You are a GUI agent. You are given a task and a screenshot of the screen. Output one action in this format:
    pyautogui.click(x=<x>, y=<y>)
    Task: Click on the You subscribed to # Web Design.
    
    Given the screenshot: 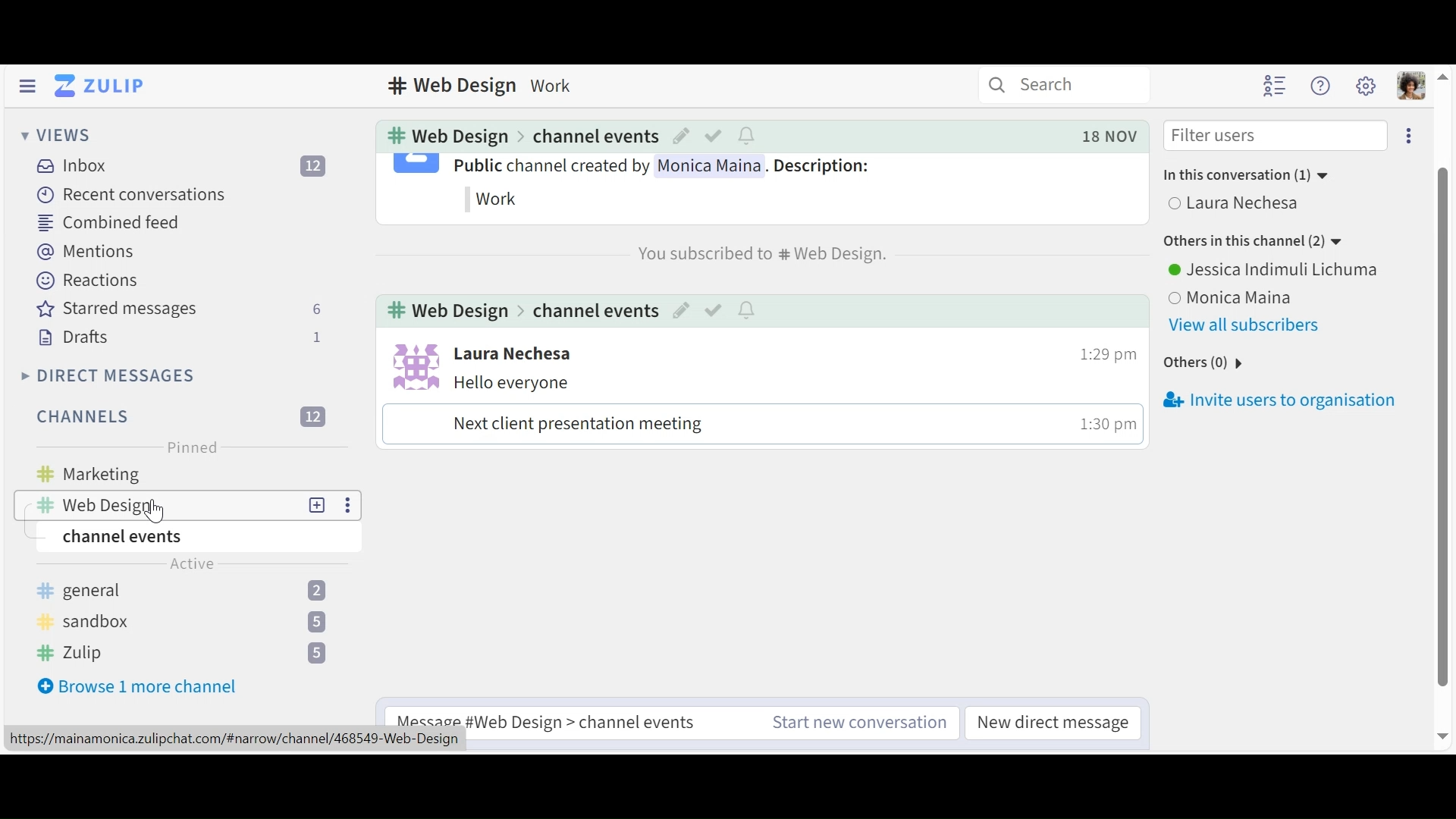 What is the action you would take?
    pyautogui.click(x=752, y=256)
    